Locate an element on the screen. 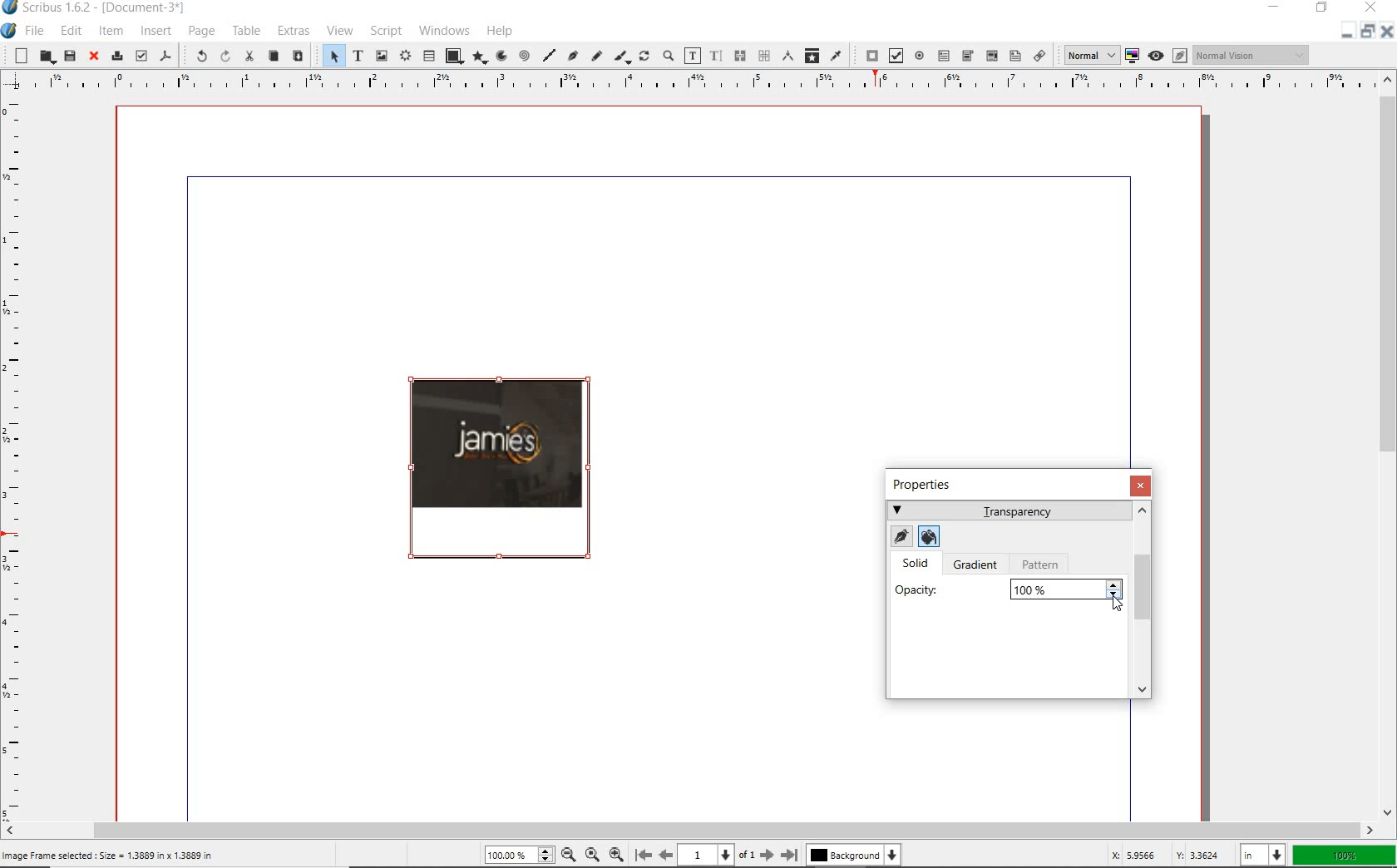  mouse pointer is located at coordinates (1115, 607).